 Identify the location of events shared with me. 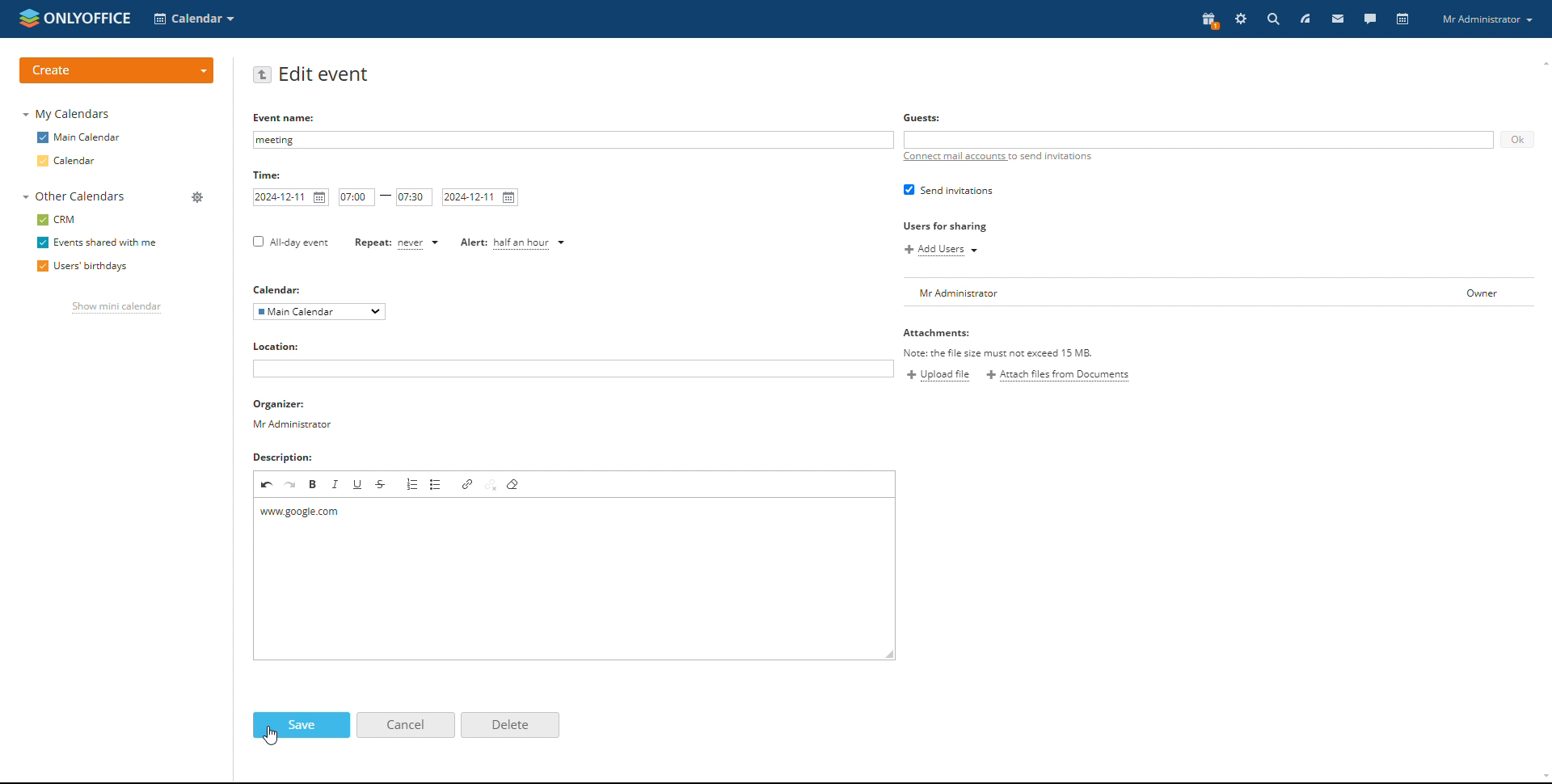
(96, 243).